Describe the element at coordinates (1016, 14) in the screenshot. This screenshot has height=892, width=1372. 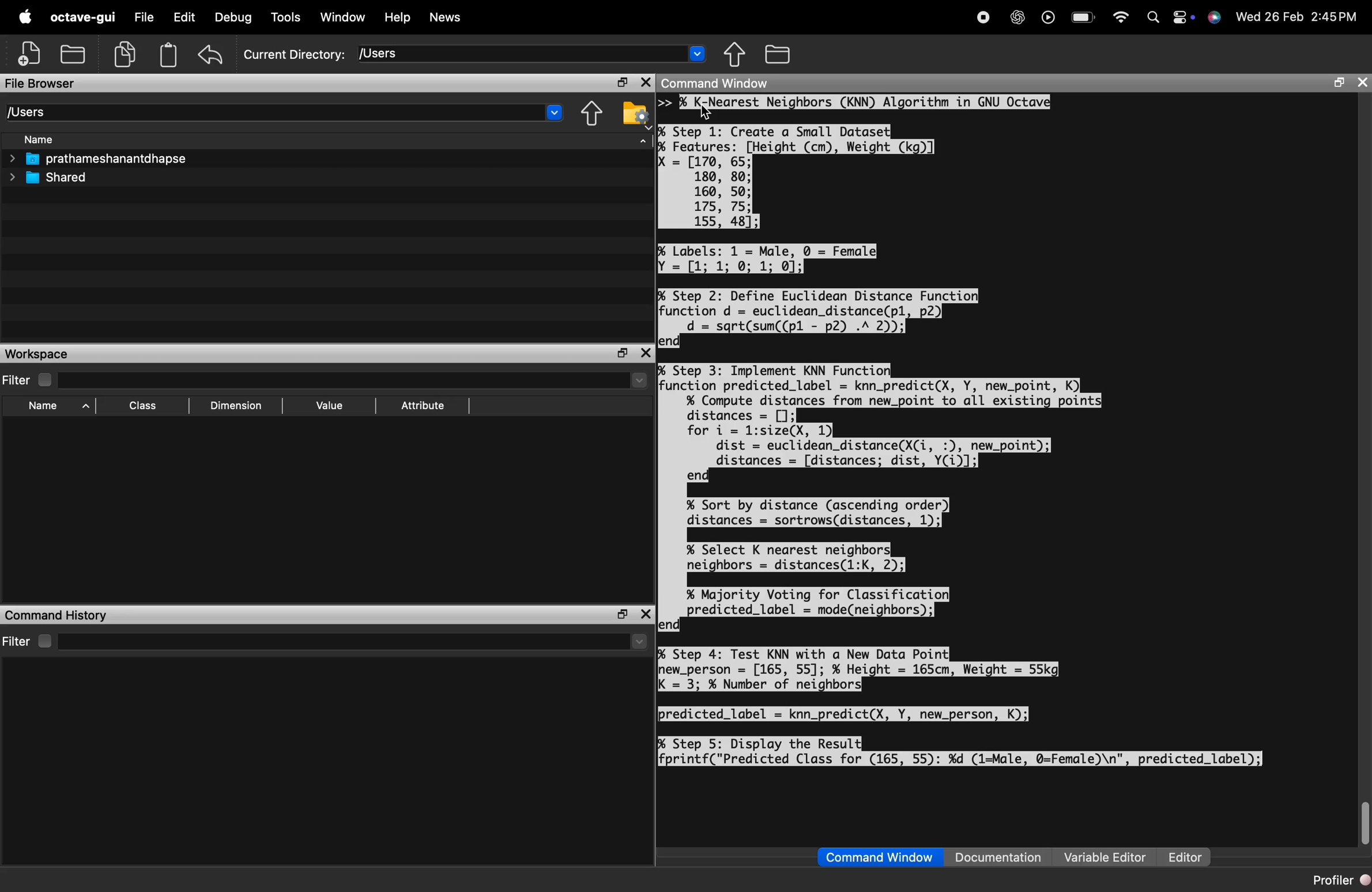
I see `AI` at that location.